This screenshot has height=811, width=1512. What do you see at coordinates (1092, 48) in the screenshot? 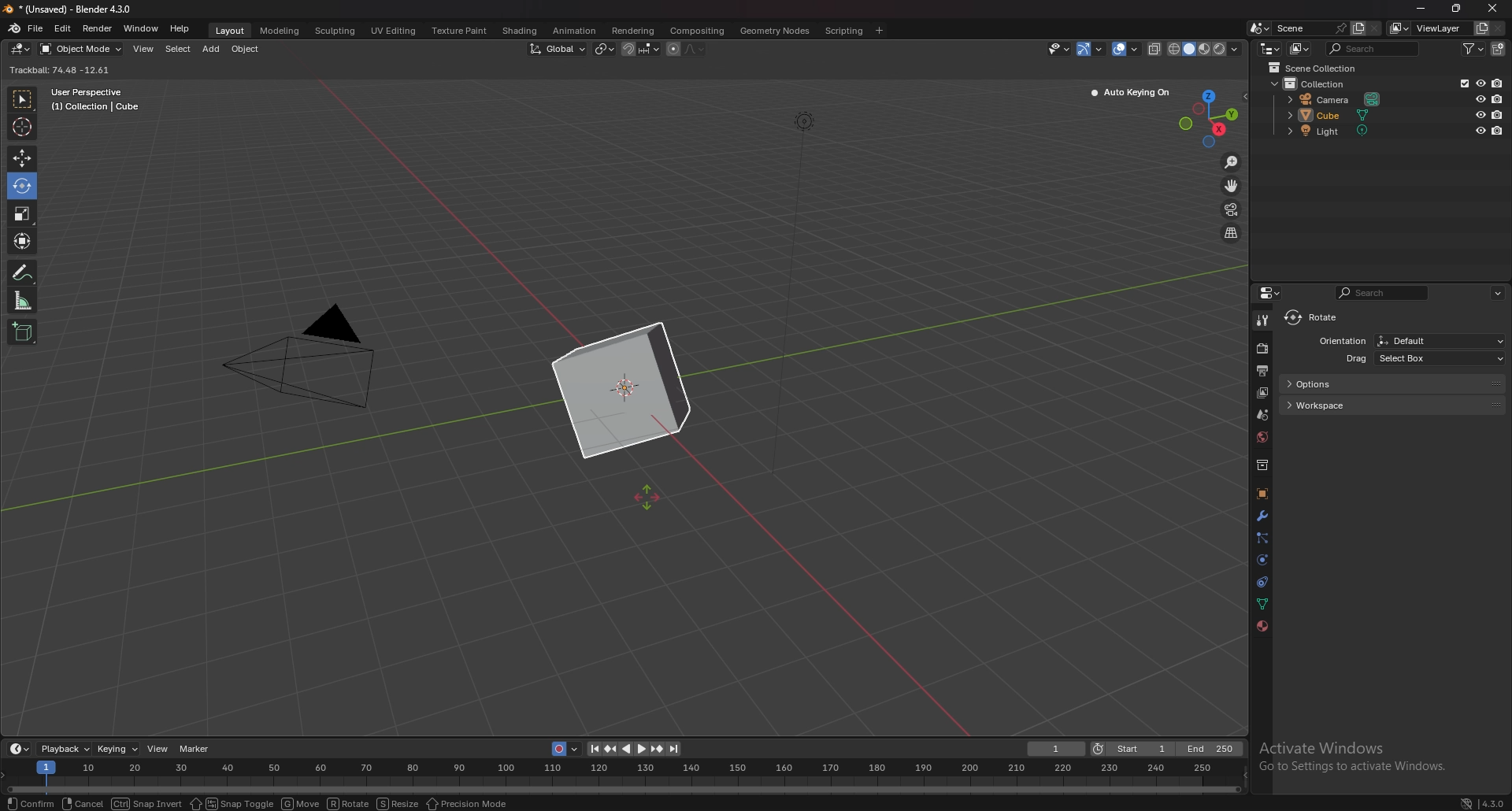
I see `gizmo` at bounding box center [1092, 48].